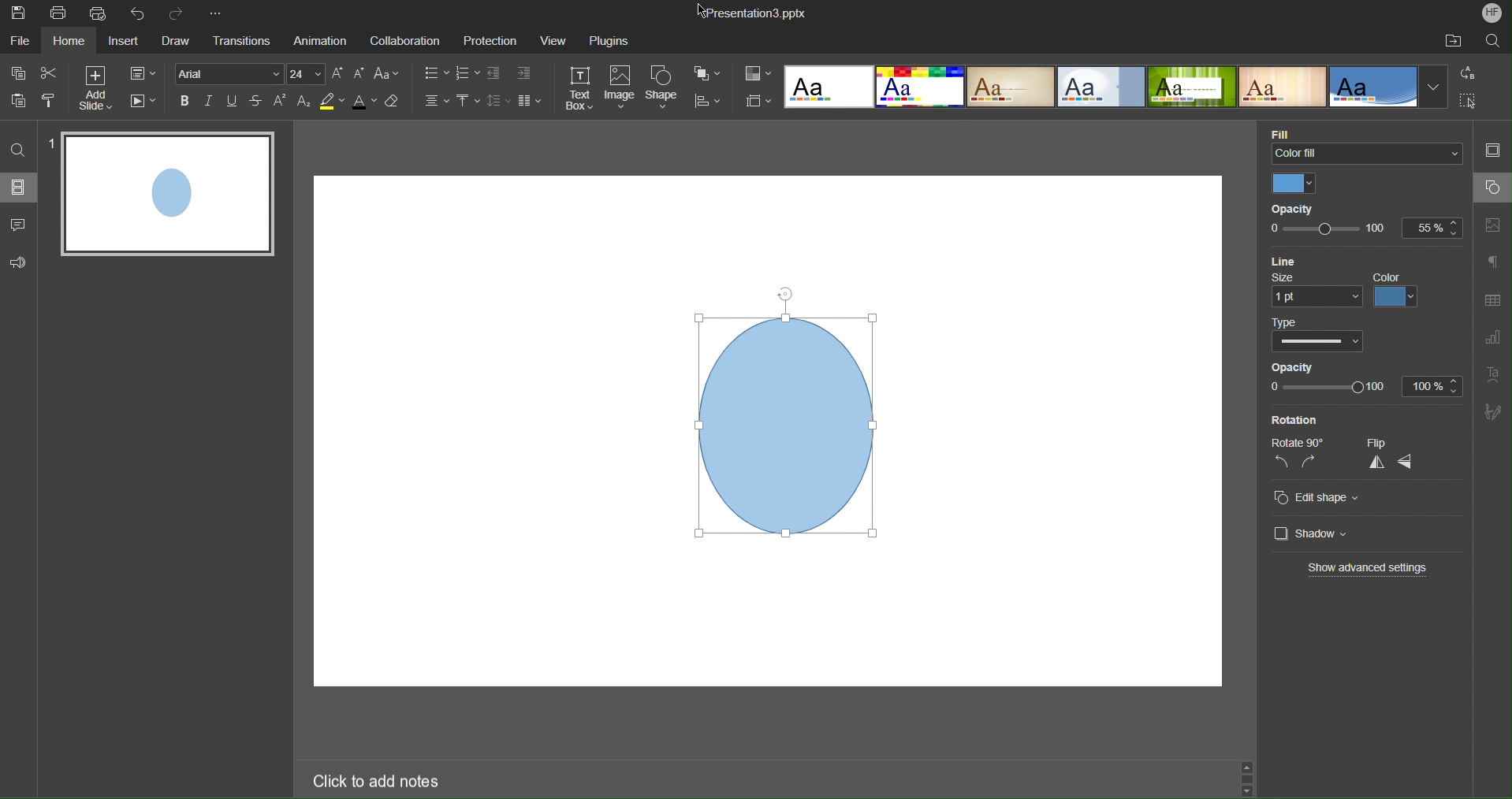 The image size is (1512, 799). What do you see at coordinates (758, 72) in the screenshot?
I see `Color Options` at bounding box center [758, 72].